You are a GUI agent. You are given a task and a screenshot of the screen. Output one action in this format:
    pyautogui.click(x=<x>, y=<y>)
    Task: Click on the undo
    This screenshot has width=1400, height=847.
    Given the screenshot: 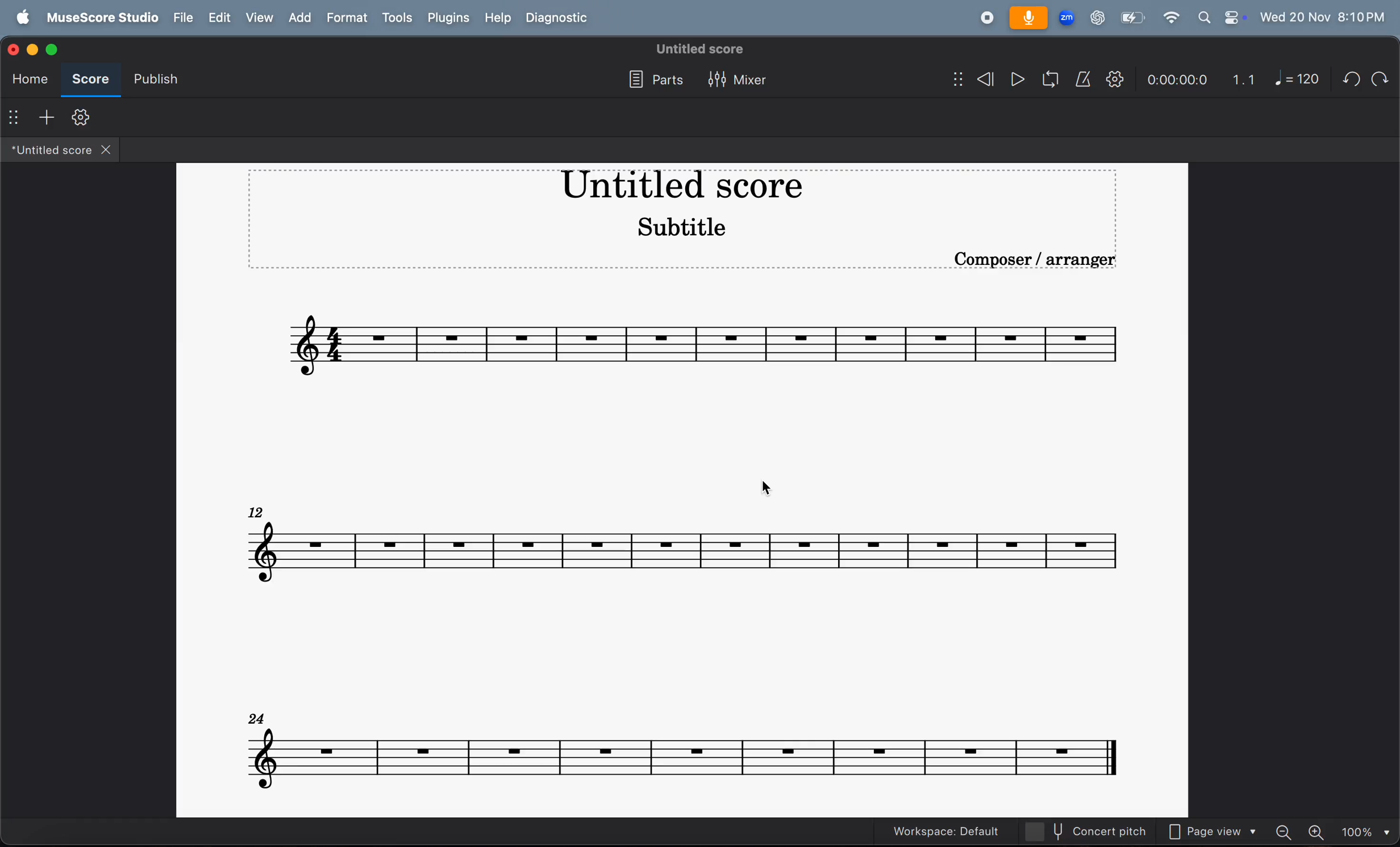 What is the action you would take?
    pyautogui.click(x=1349, y=79)
    